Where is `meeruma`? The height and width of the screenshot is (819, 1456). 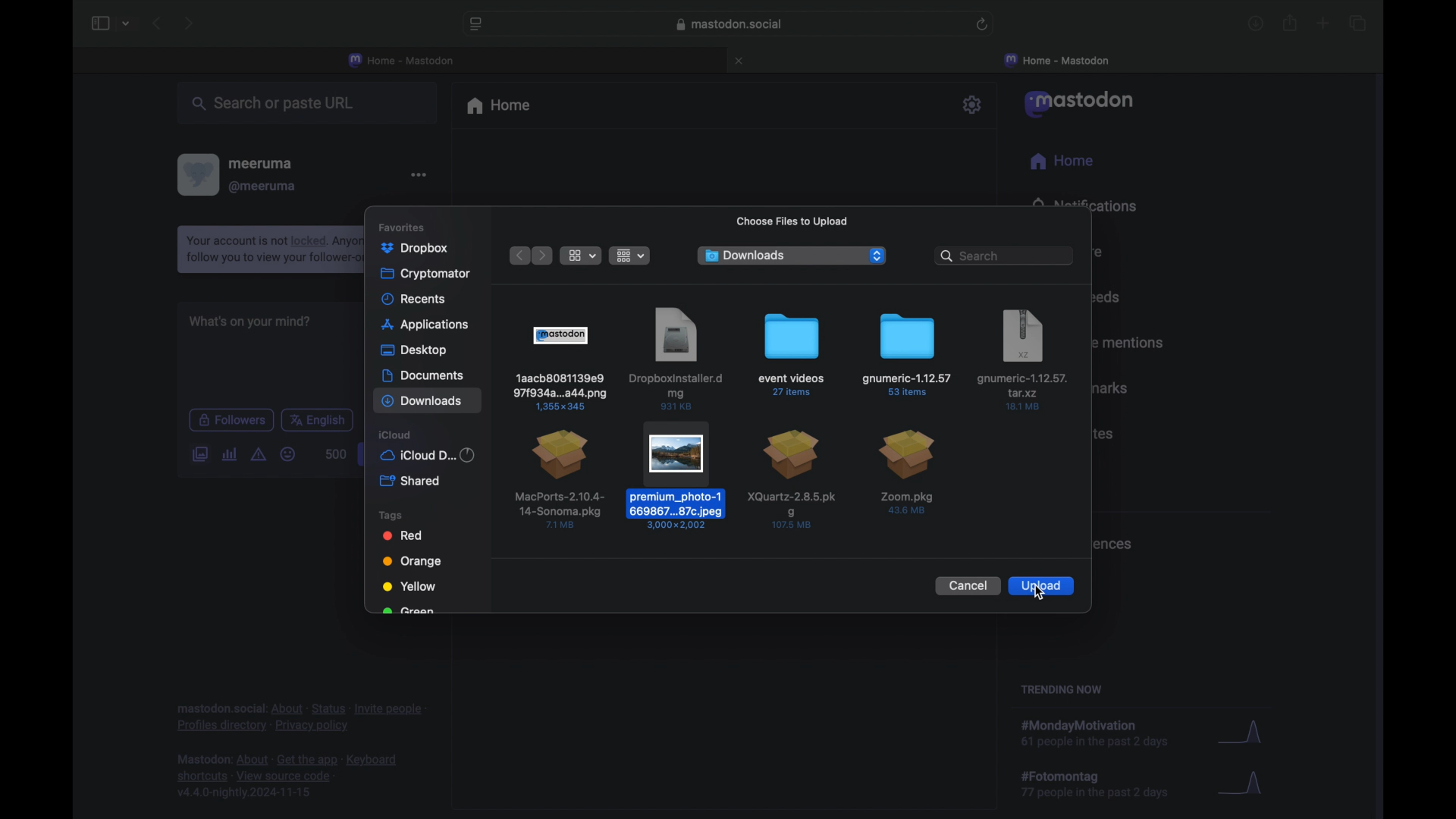 meeruma is located at coordinates (264, 164).